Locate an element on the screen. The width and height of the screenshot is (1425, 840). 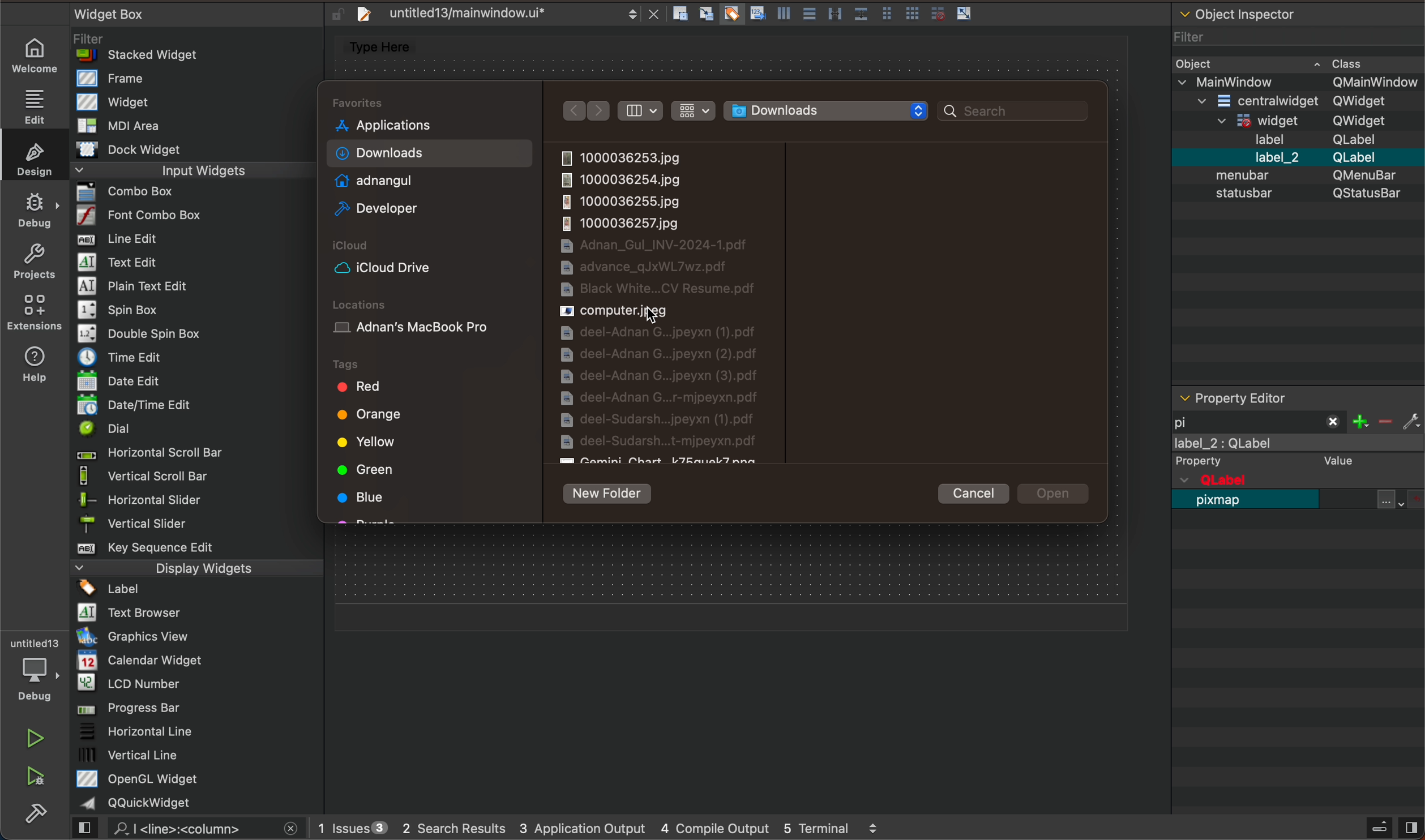
cursor is located at coordinates (652, 315).